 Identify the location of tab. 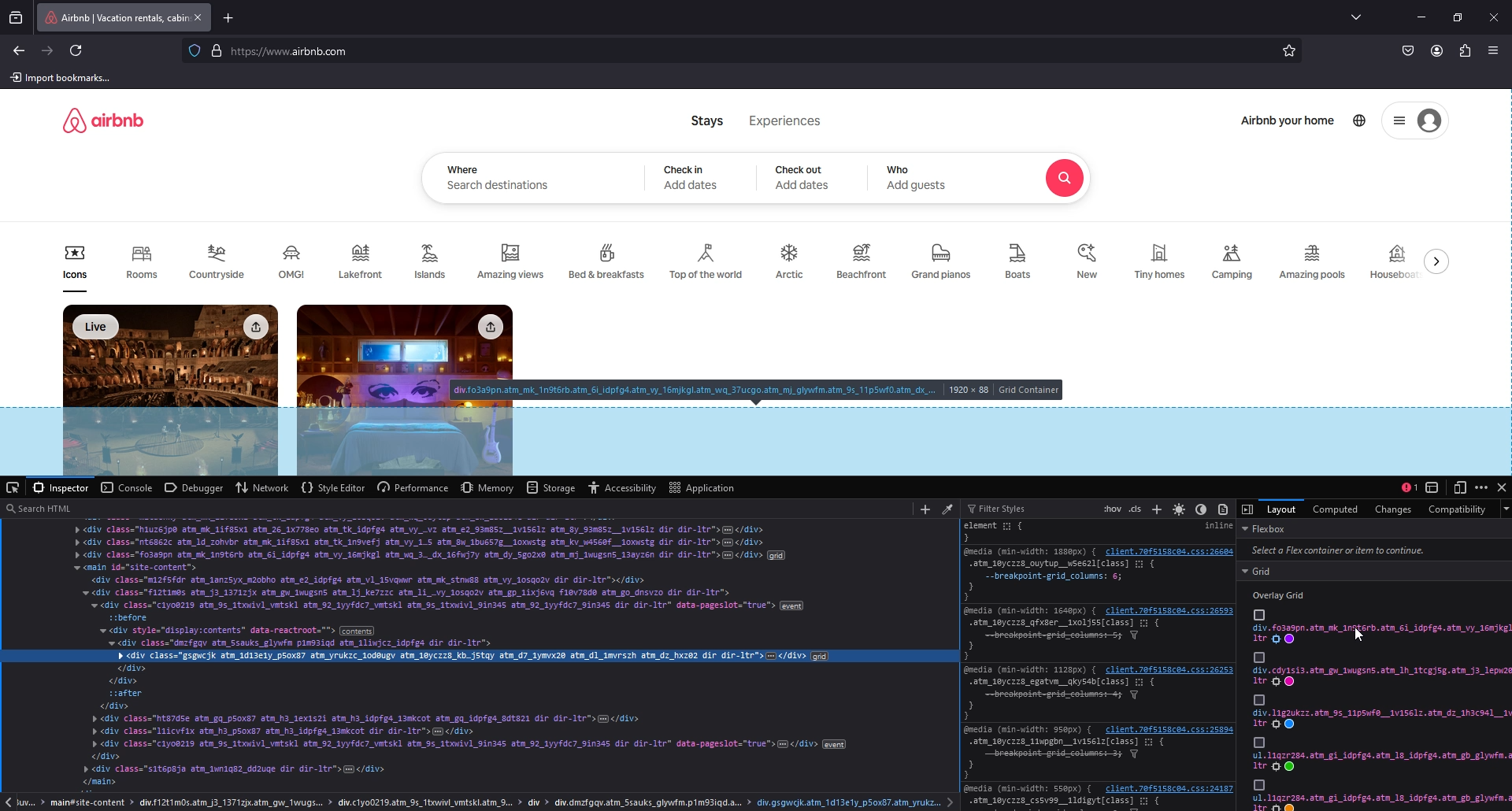
(113, 17).